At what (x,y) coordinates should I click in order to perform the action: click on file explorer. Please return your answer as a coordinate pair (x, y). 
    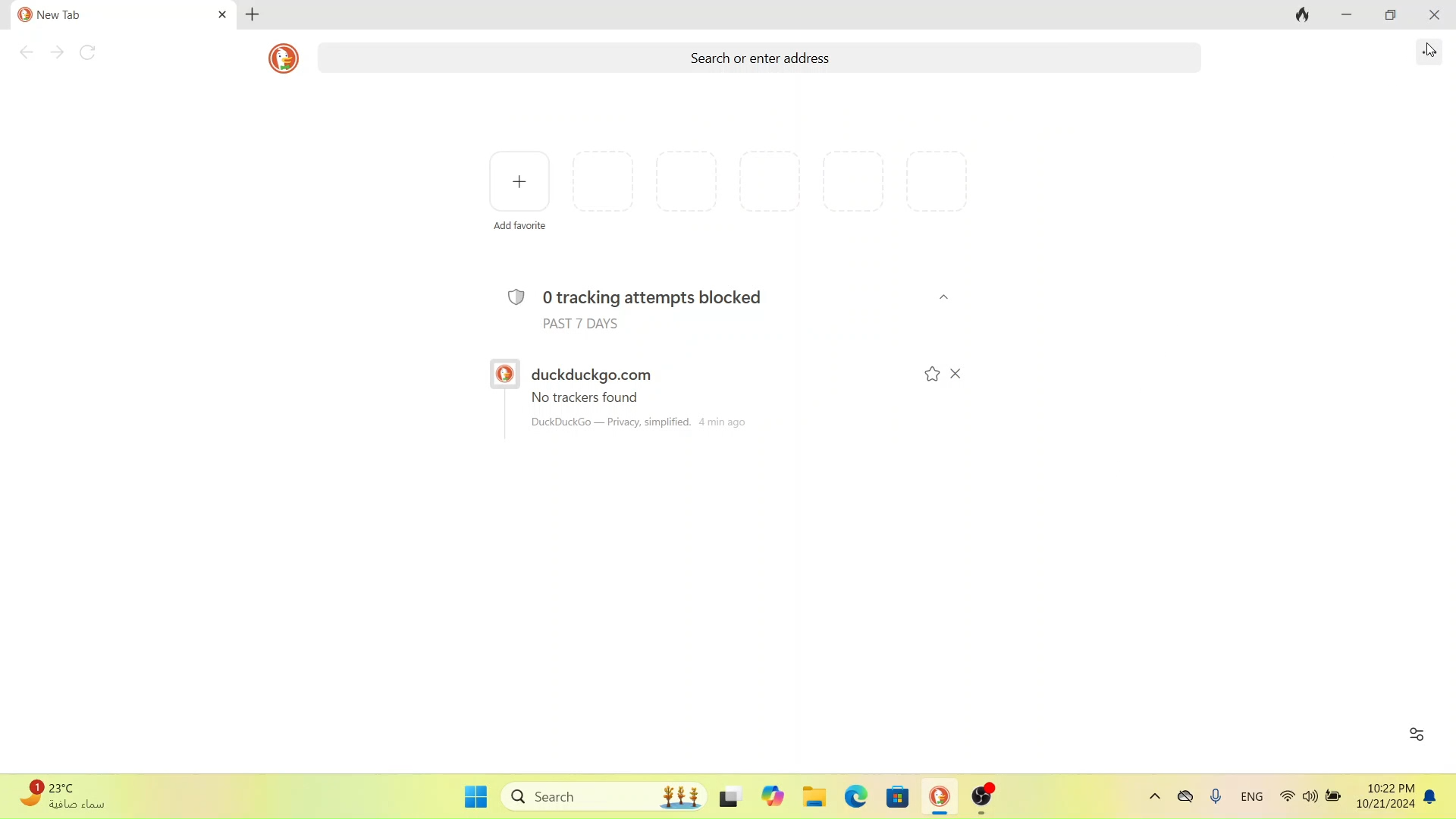
    Looking at the image, I should click on (815, 798).